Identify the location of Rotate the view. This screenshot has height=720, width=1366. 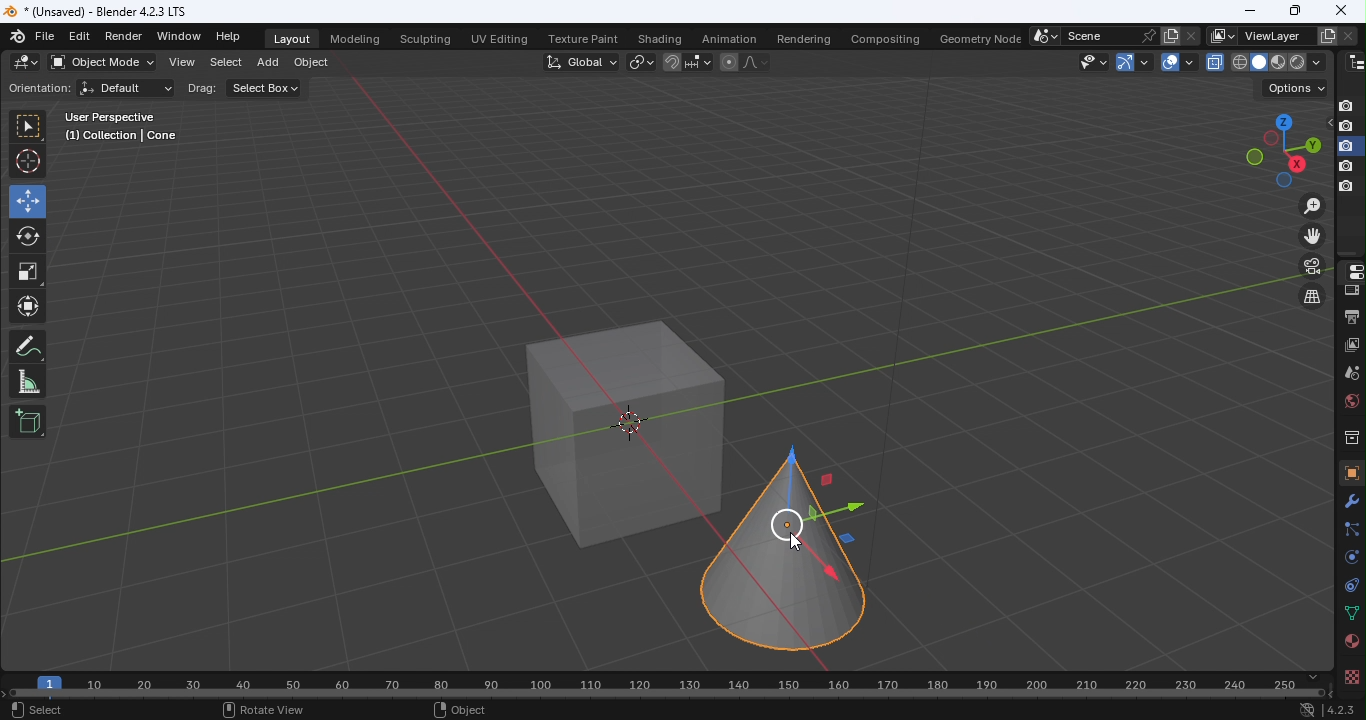
(1296, 164).